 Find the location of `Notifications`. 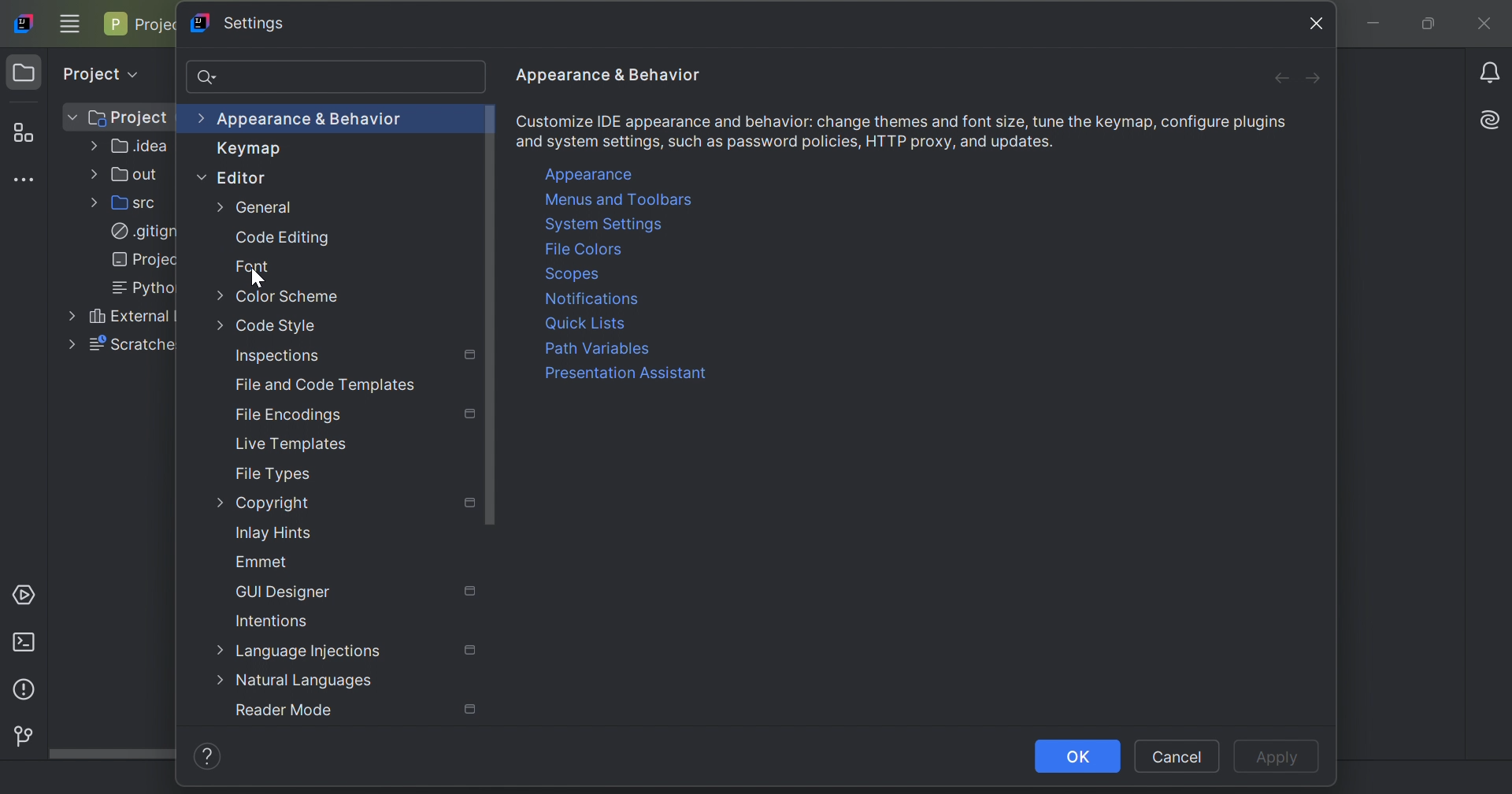

Notifications is located at coordinates (1492, 72).